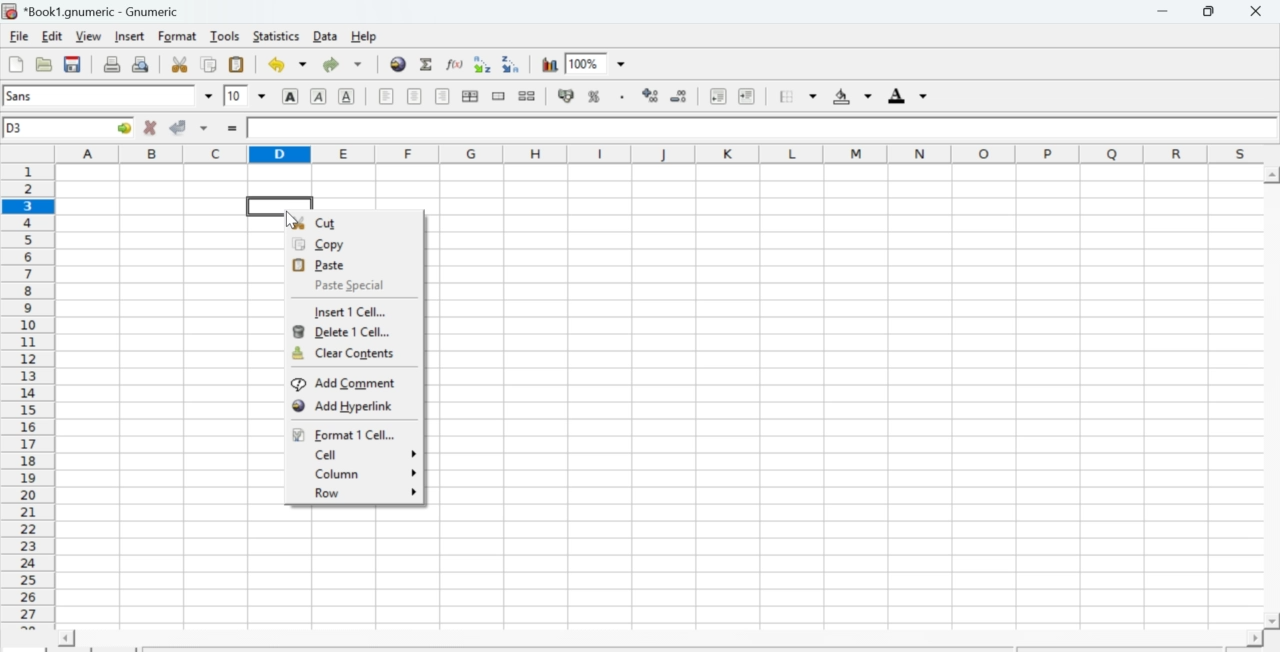 This screenshot has height=652, width=1280. I want to click on Statistics, so click(278, 36).